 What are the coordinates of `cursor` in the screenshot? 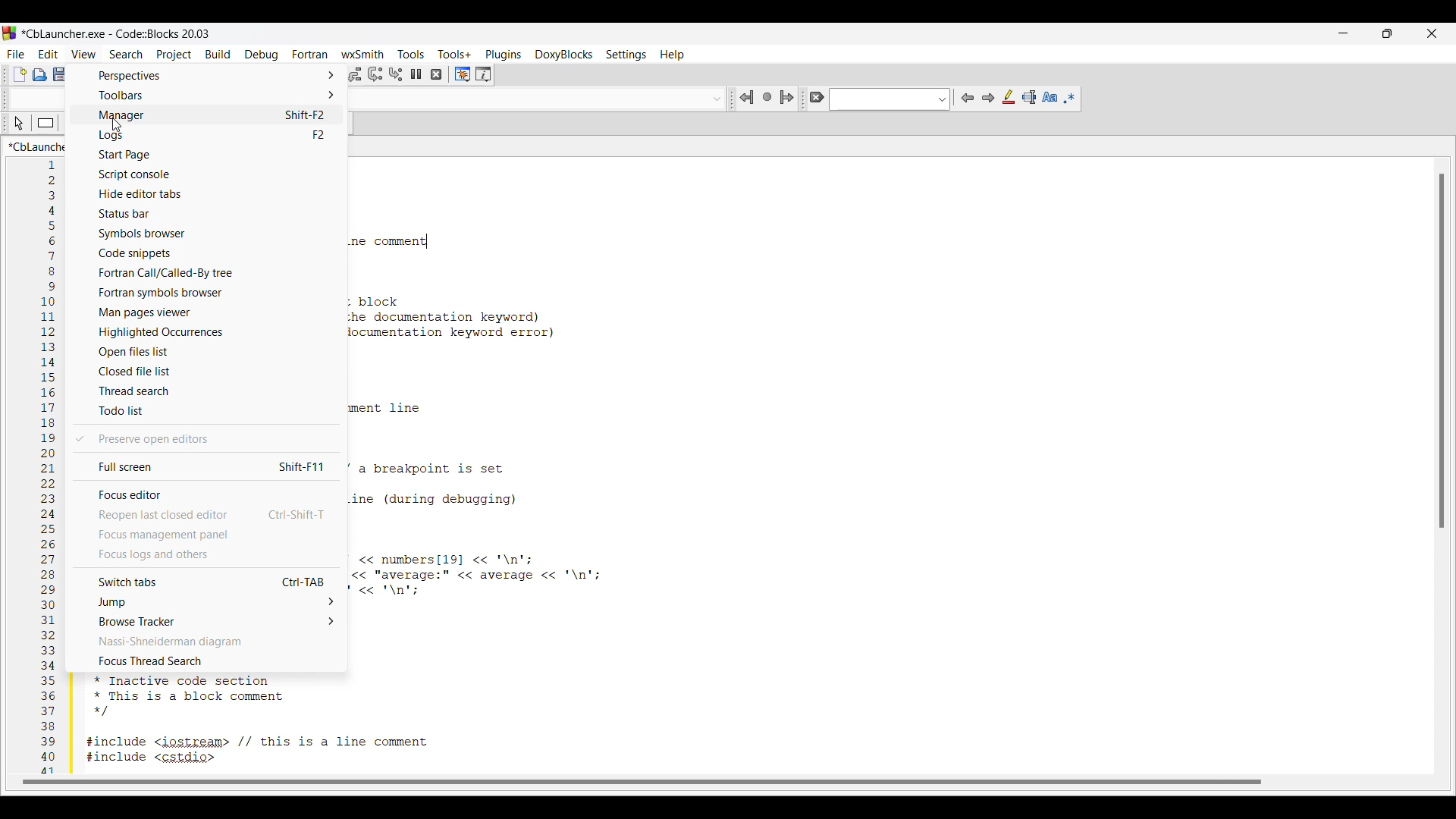 It's located at (20, 127).